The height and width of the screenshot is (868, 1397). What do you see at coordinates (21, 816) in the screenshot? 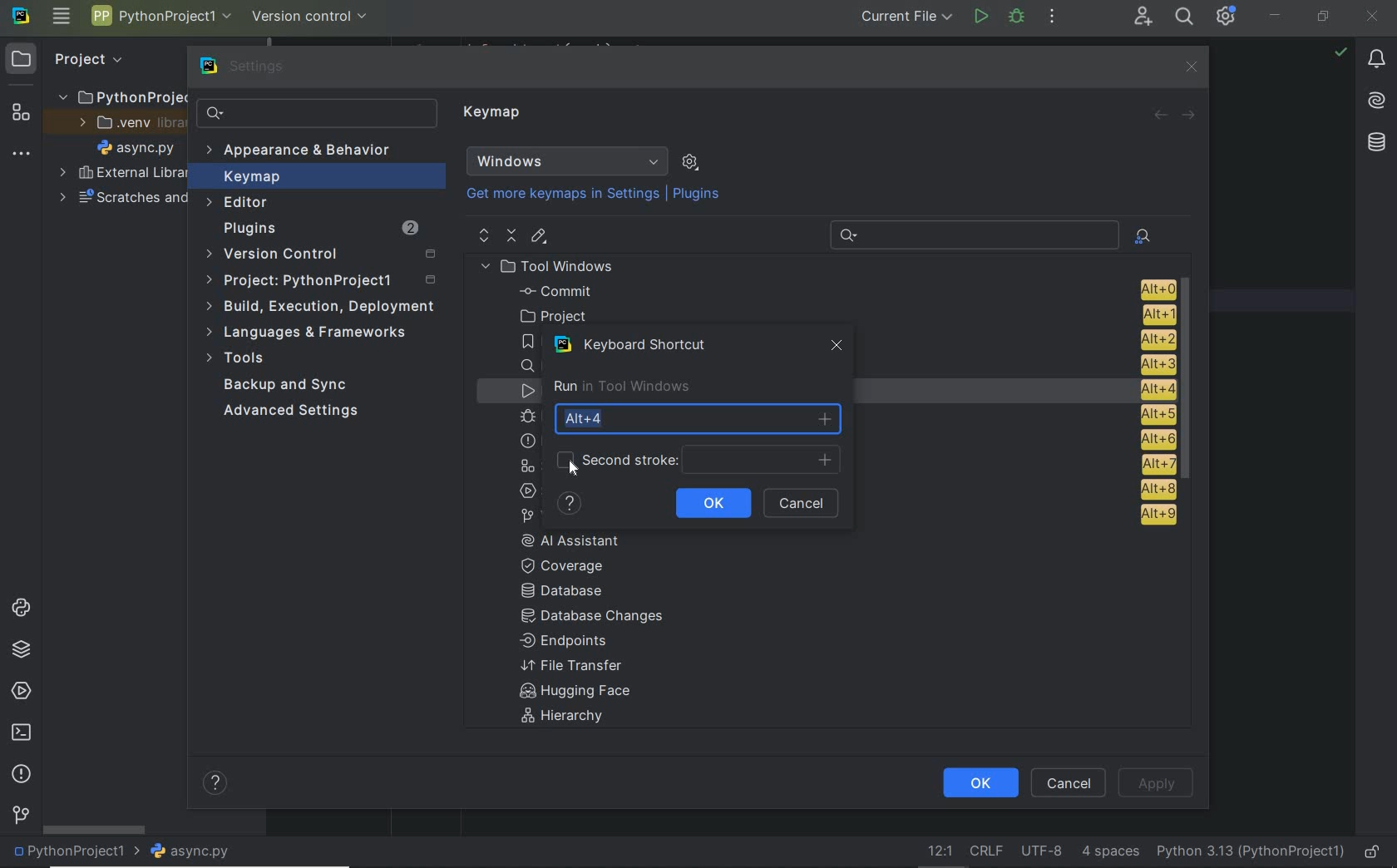
I see `version control` at bounding box center [21, 816].